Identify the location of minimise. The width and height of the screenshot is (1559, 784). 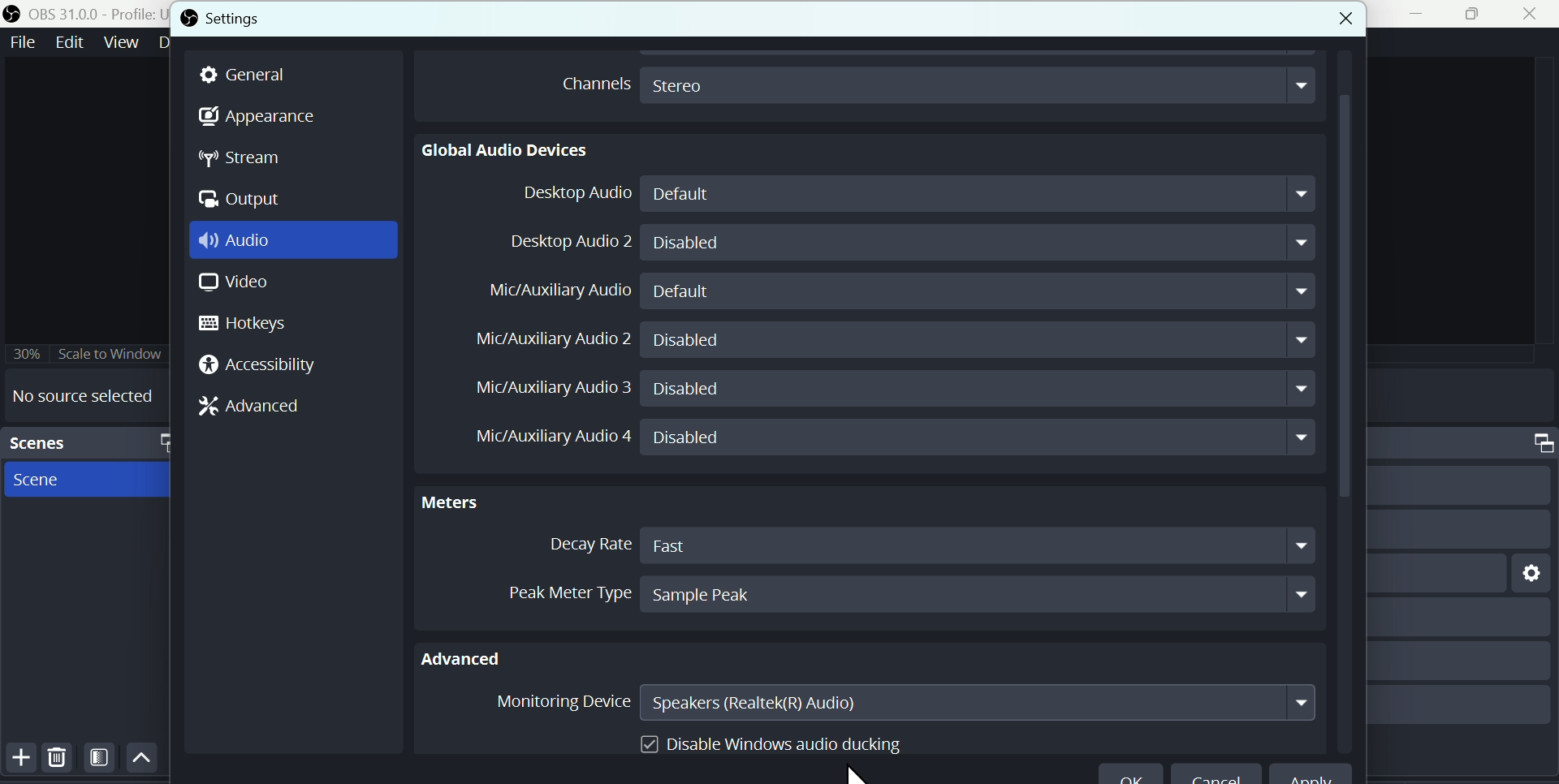
(1420, 14).